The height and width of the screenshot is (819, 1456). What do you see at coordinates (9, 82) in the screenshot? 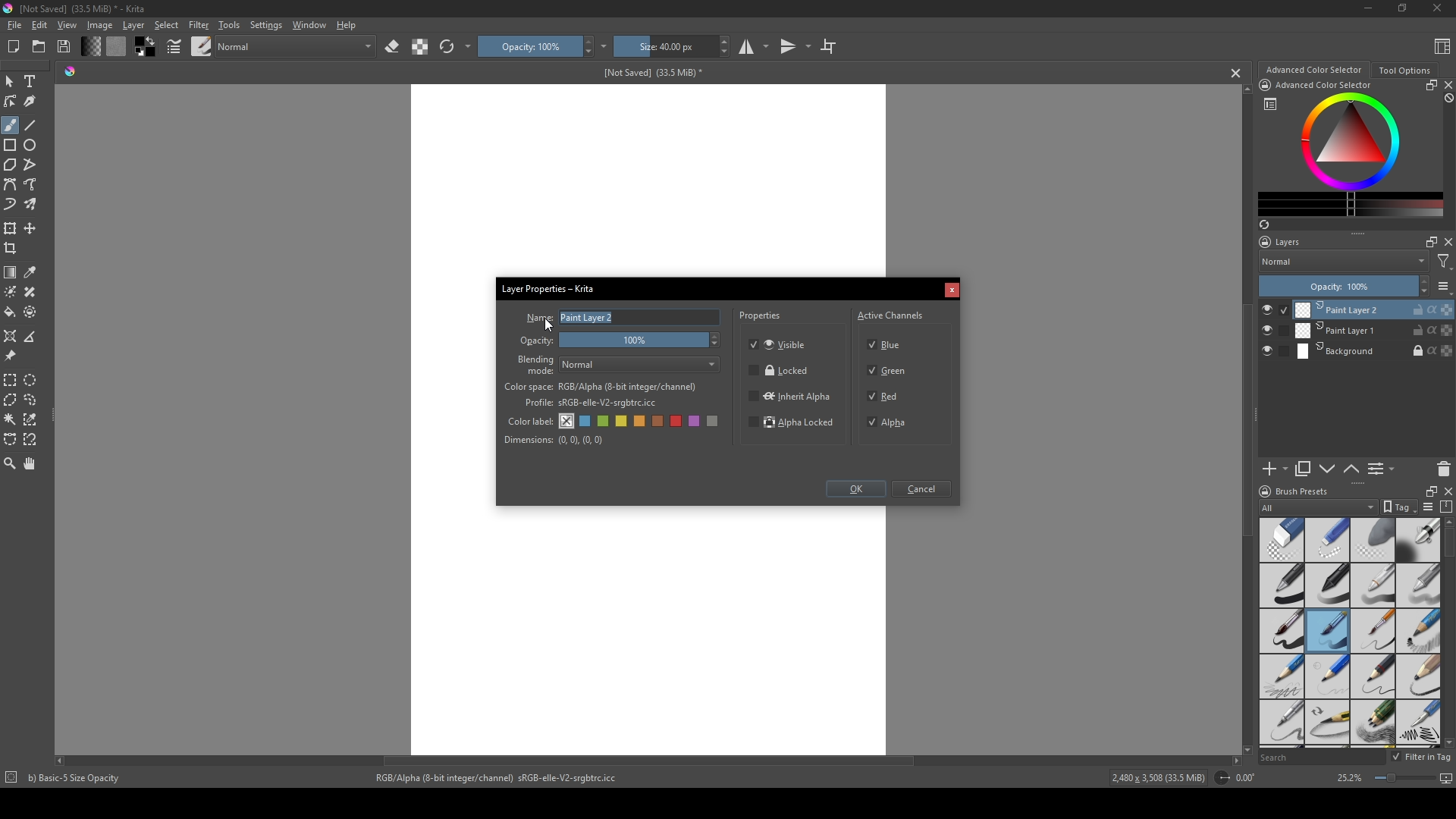
I see `mouse` at bounding box center [9, 82].